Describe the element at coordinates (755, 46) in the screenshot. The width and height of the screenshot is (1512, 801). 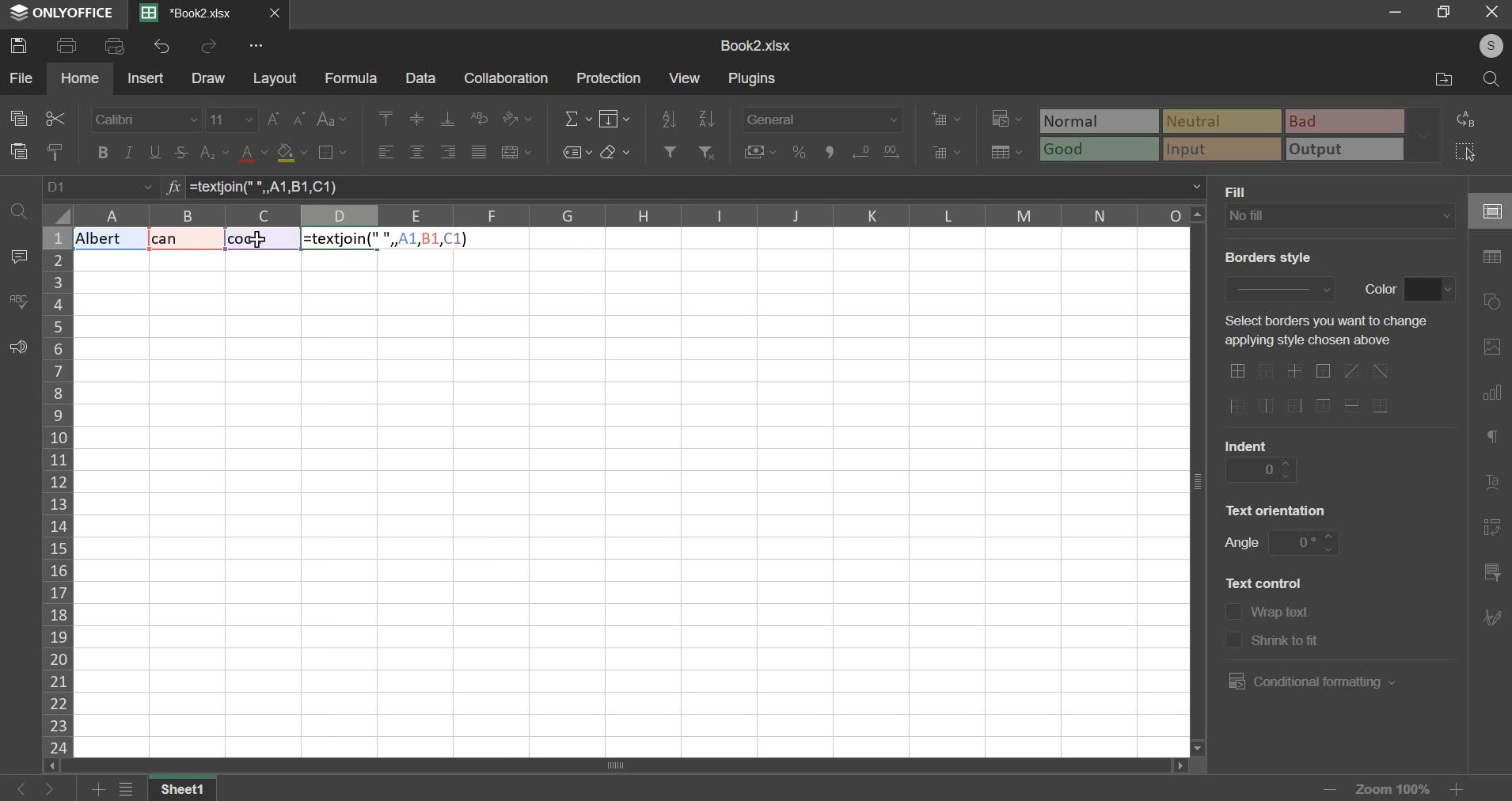
I see `spreadsheet name` at that location.